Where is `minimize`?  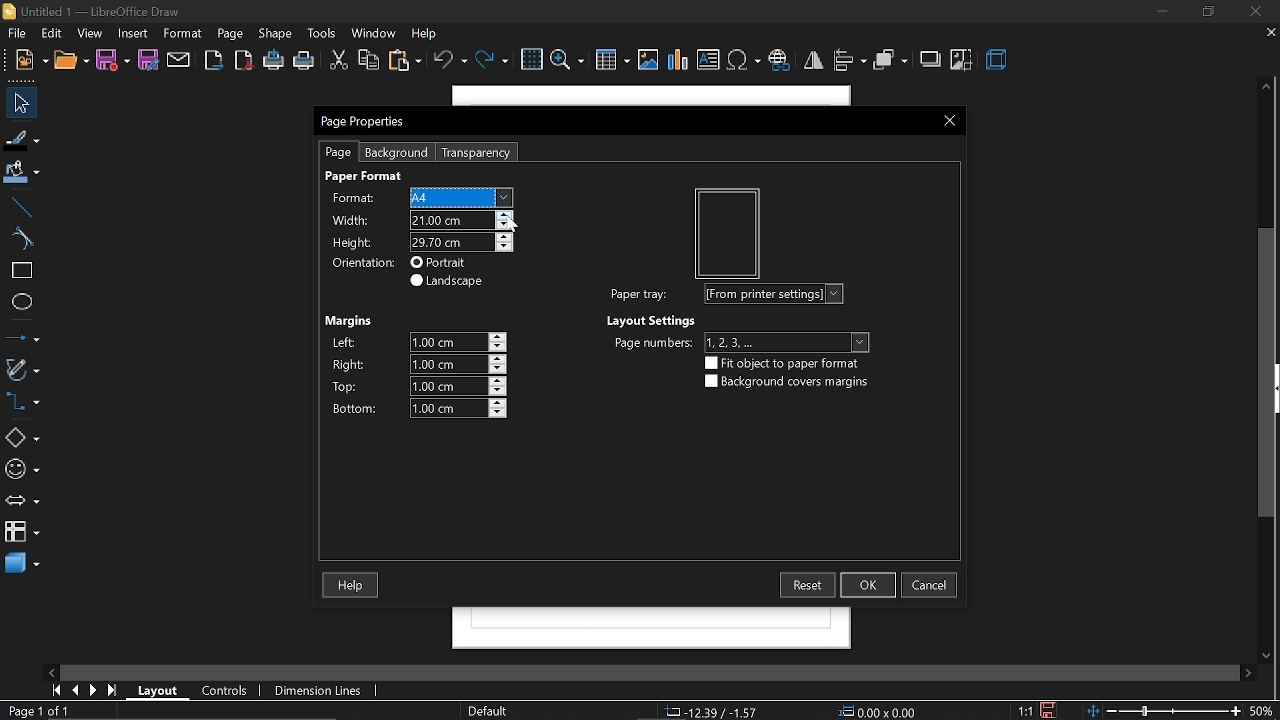
minimize is located at coordinates (1161, 12).